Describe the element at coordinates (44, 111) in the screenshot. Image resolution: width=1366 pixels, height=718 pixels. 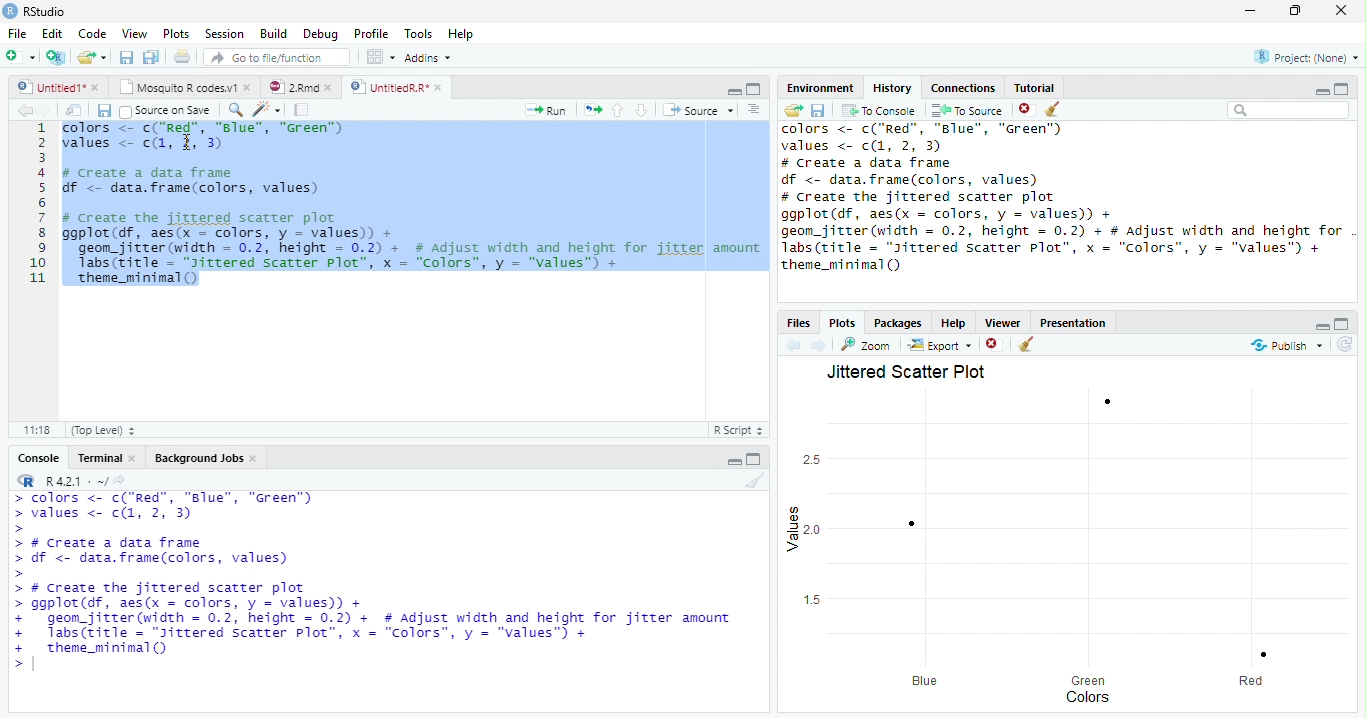
I see `Go forward to next source location` at that location.